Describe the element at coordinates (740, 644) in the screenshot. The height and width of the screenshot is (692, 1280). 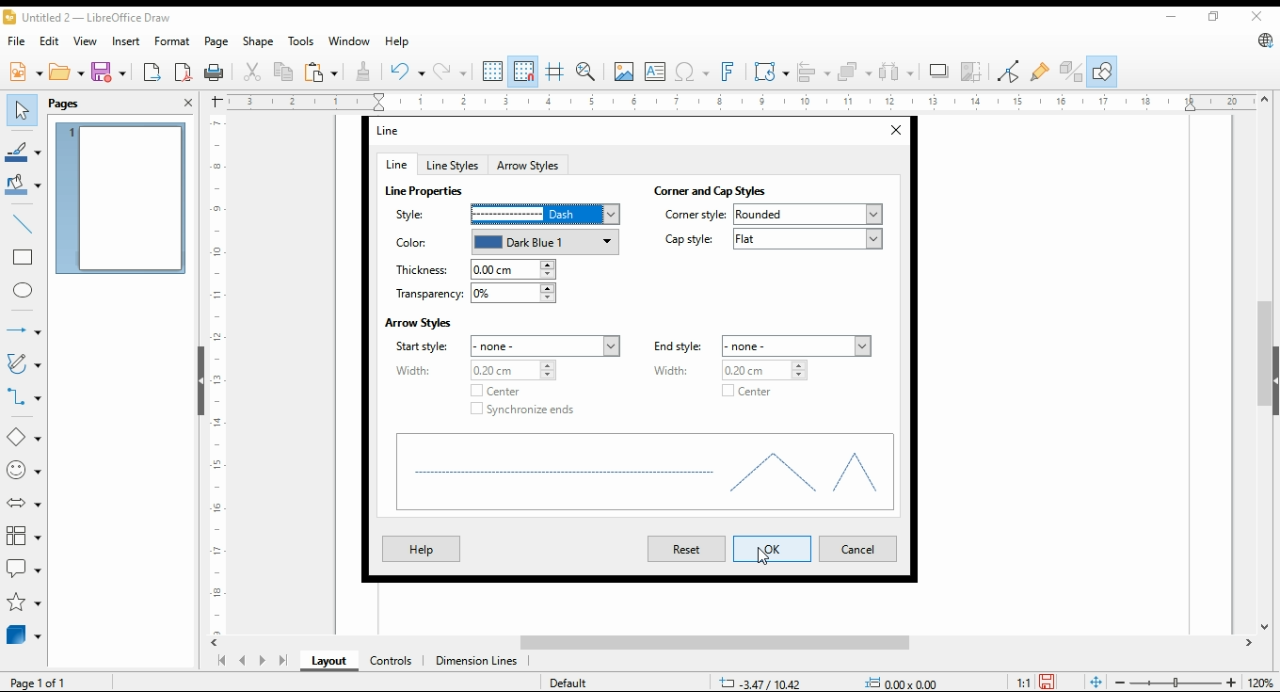
I see `scroll bar` at that location.